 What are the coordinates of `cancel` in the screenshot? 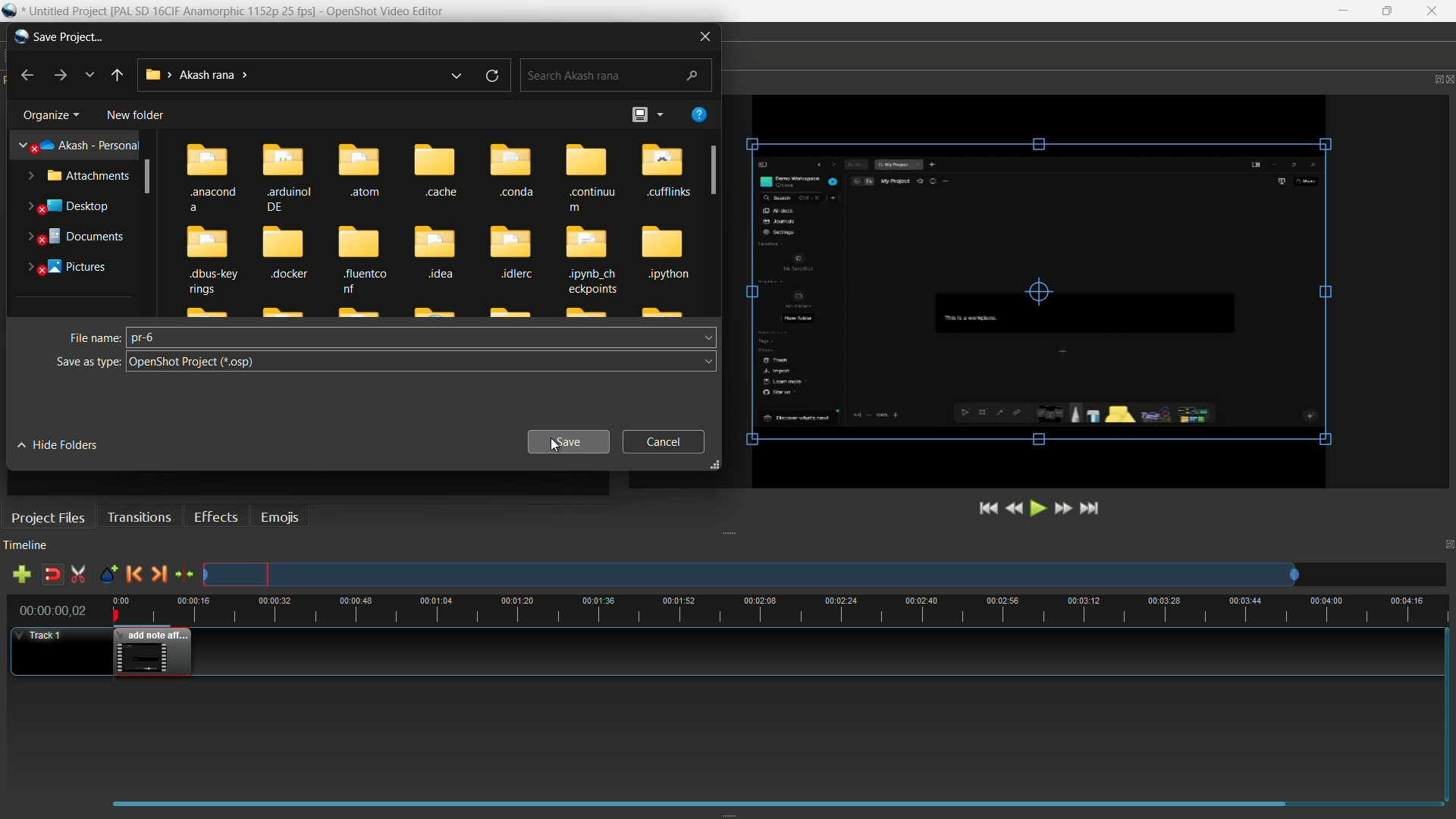 It's located at (663, 441).